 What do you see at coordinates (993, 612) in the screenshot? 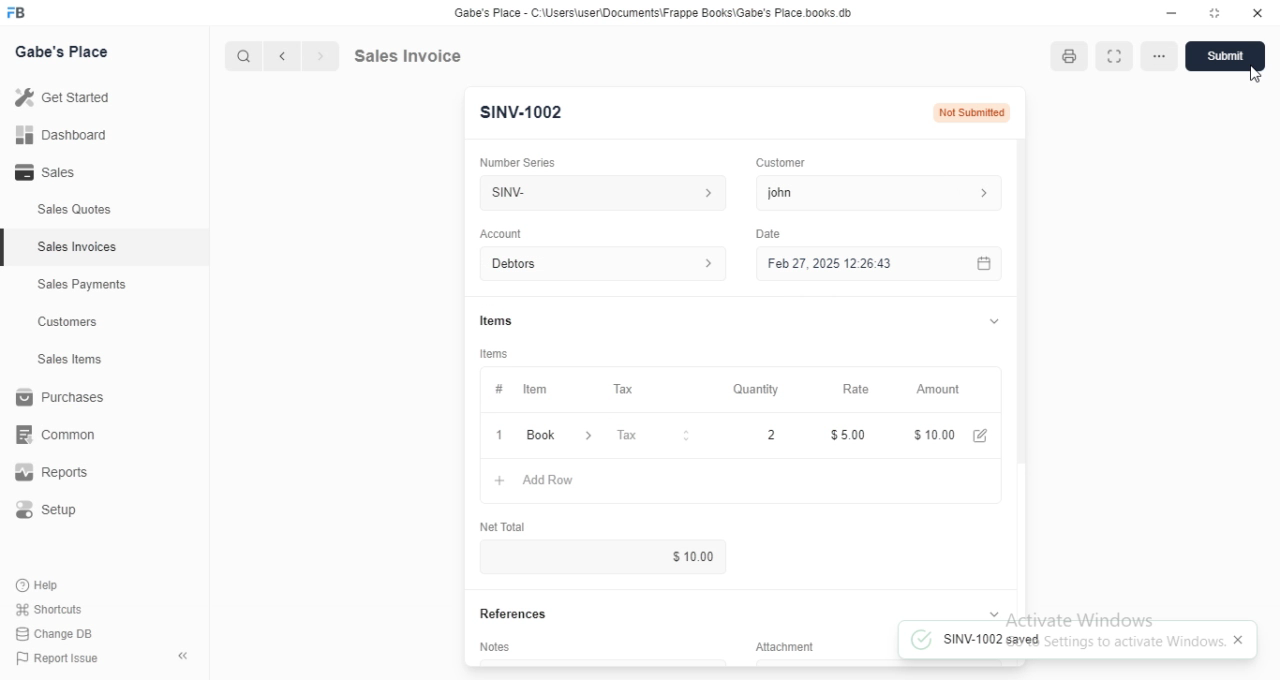
I see `Expand` at bounding box center [993, 612].